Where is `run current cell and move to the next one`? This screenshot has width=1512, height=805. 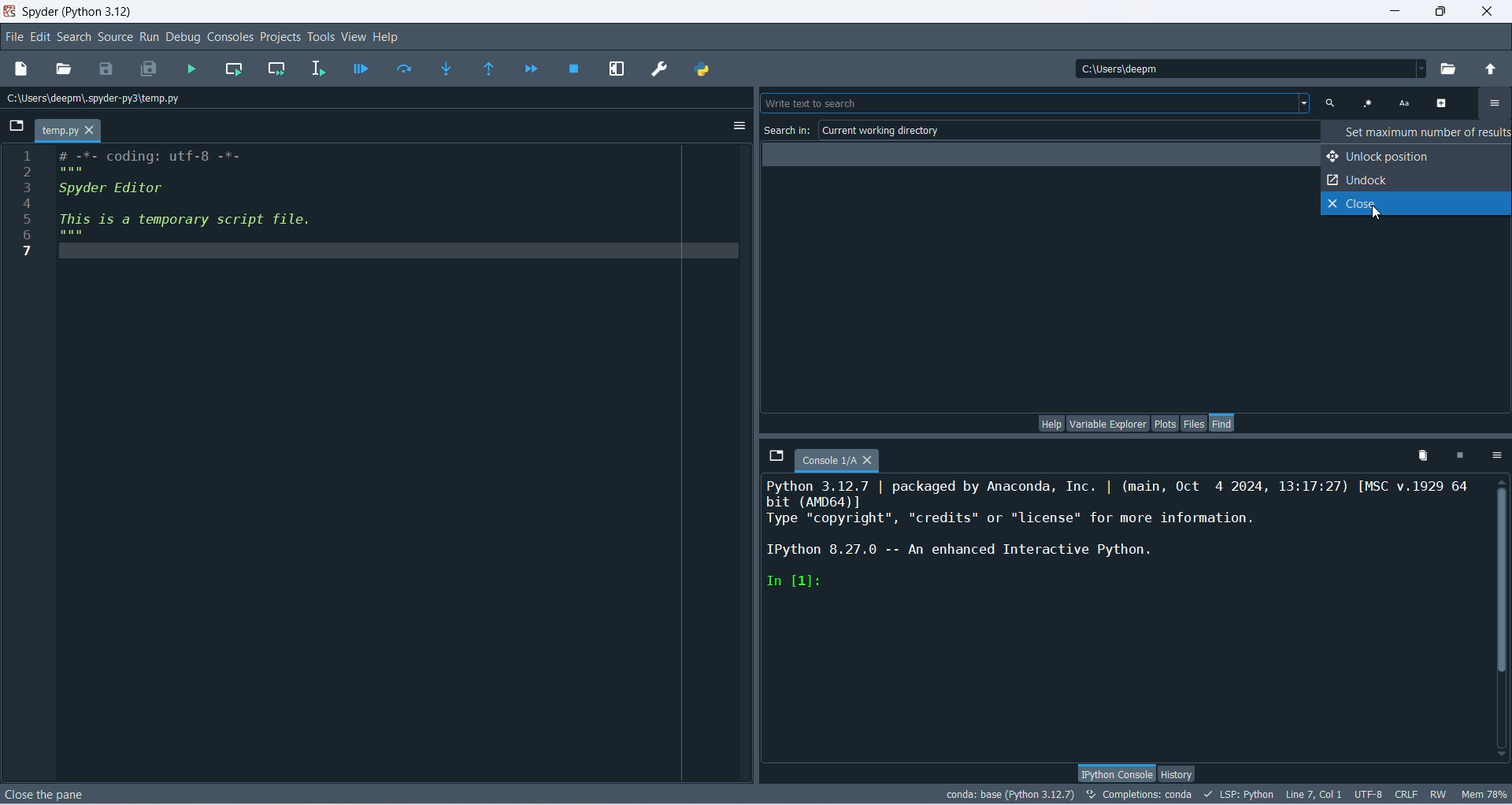 run current cell and move to the next one is located at coordinates (276, 68).